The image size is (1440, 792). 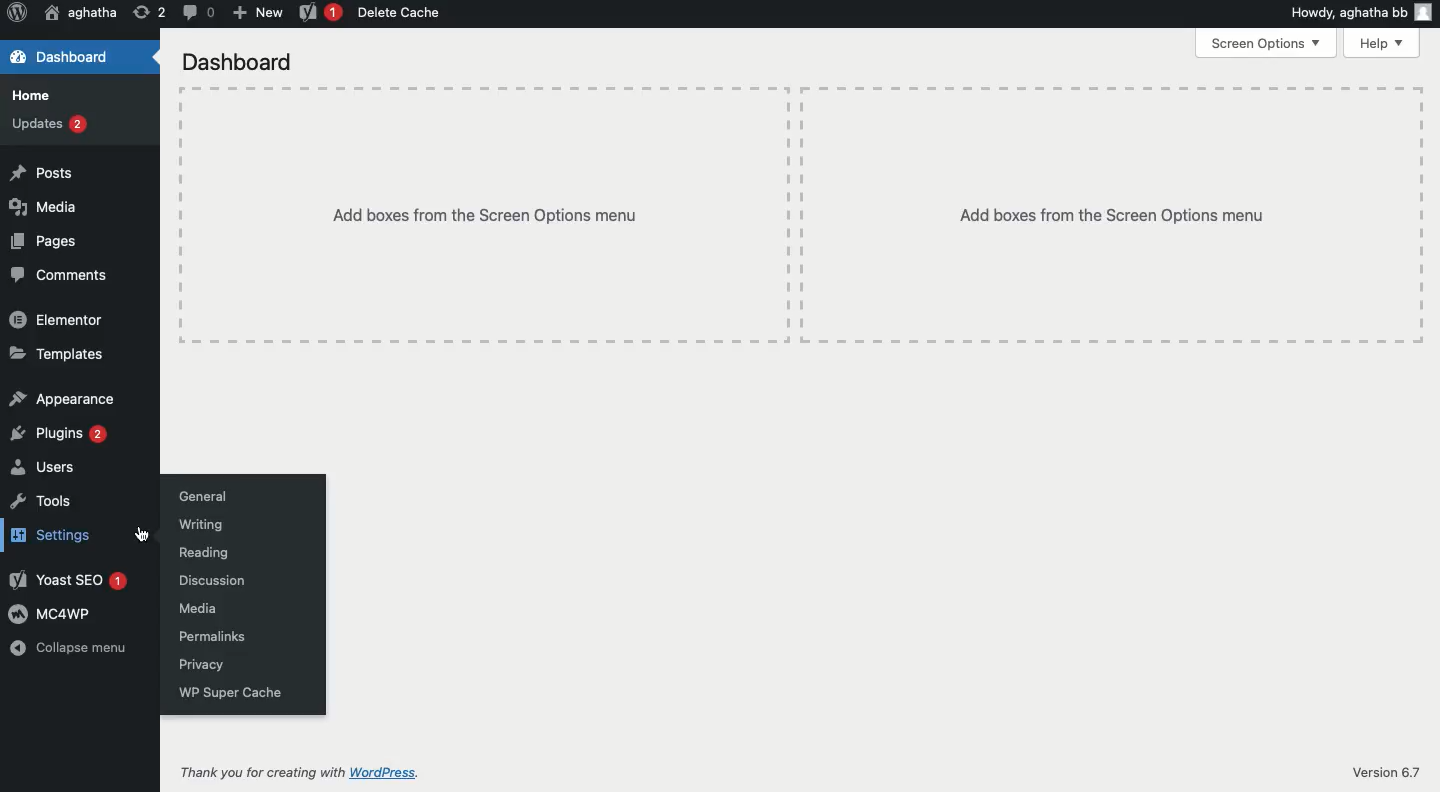 What do you see at coordinates (396, 12) in the screenshot?
I see `Delete cache` at bounding box center [396, 12].